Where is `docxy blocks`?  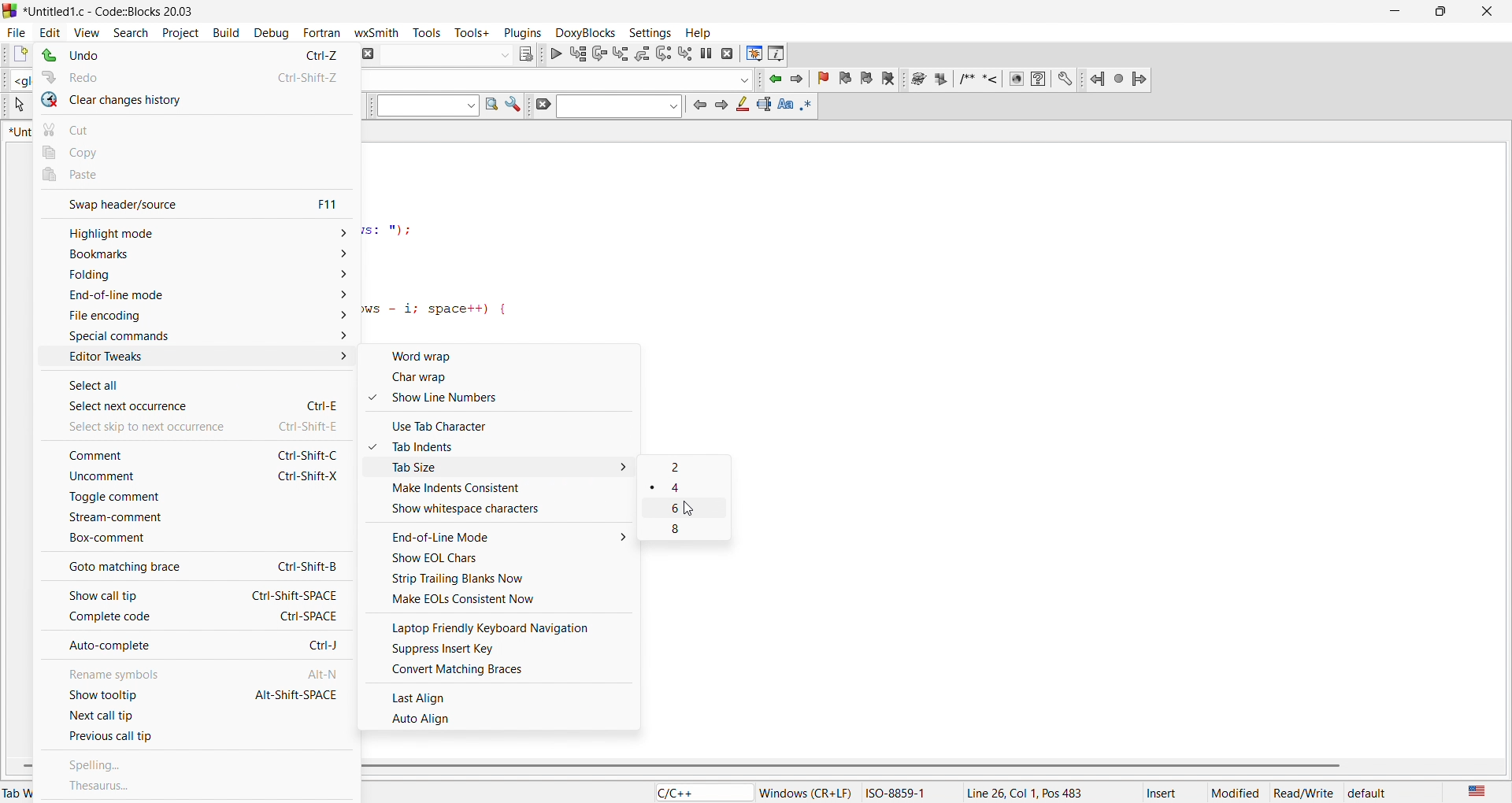
docxy blocks is located at coordinates (988, 81).